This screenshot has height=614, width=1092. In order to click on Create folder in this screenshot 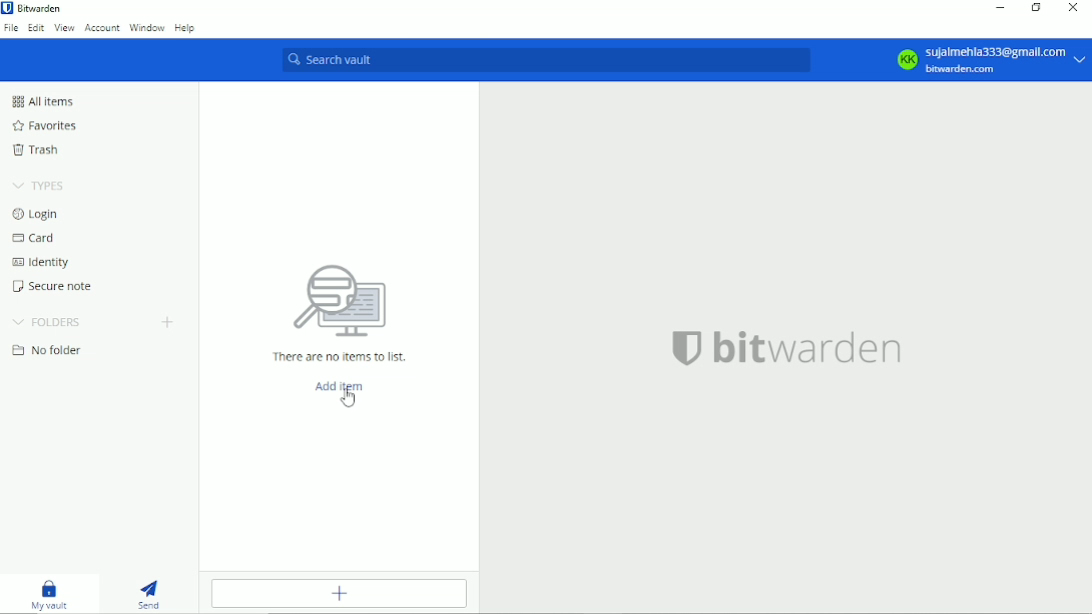, I will do `click(171, 323)`.